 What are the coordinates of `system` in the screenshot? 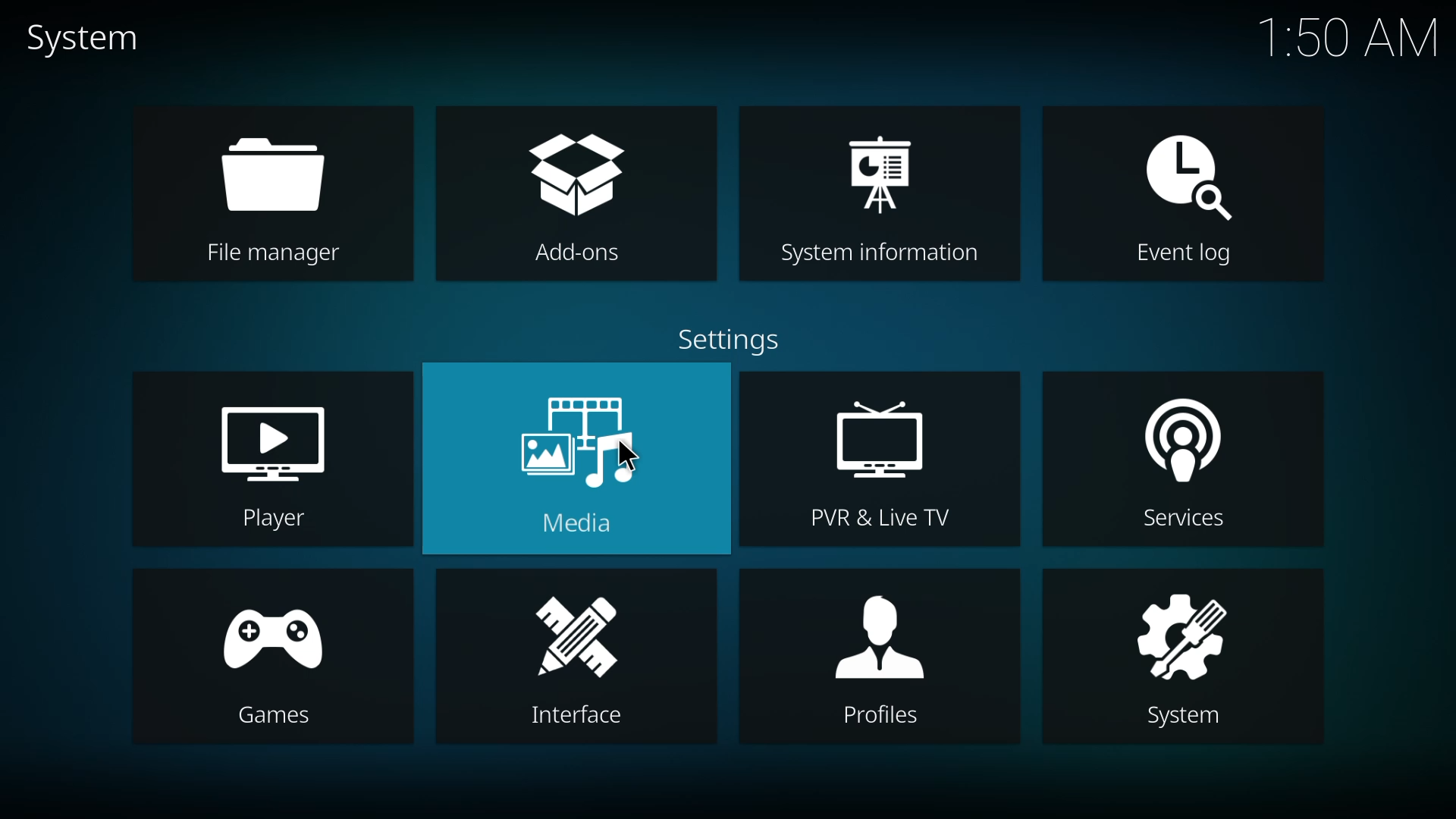 It's located at (1184, 657).